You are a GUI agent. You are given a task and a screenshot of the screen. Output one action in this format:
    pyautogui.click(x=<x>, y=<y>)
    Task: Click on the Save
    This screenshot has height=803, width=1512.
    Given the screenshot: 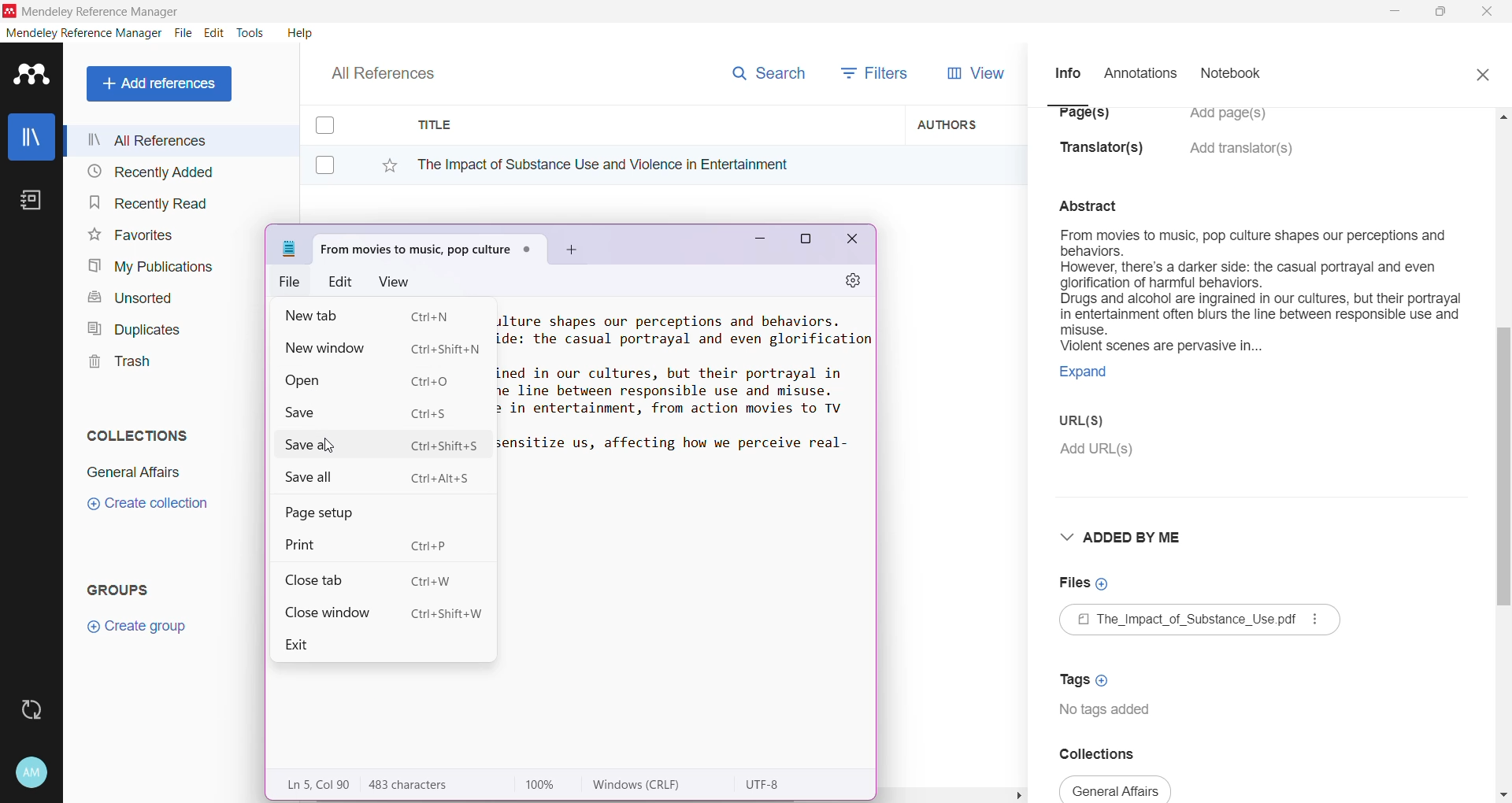 What is the action you would take?
    pyautogui.click(x=370, y=413)
    